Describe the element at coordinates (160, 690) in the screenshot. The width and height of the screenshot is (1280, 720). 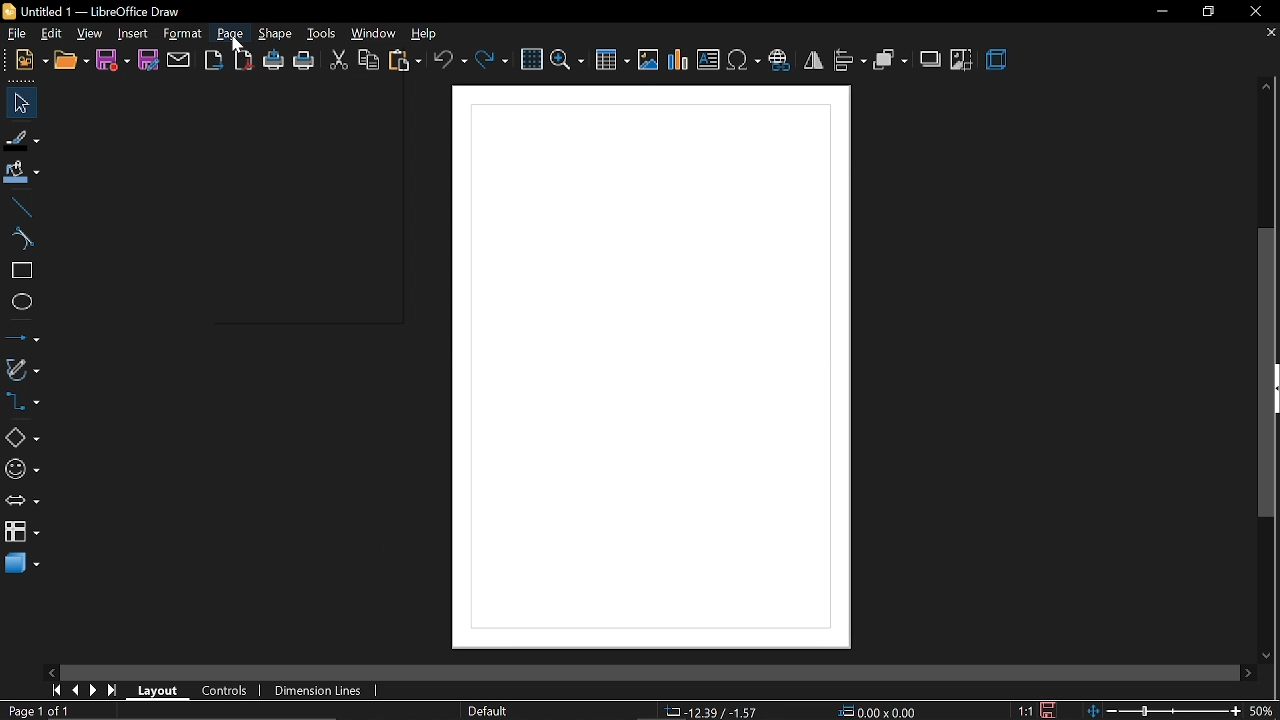
I see `layout` at that location.